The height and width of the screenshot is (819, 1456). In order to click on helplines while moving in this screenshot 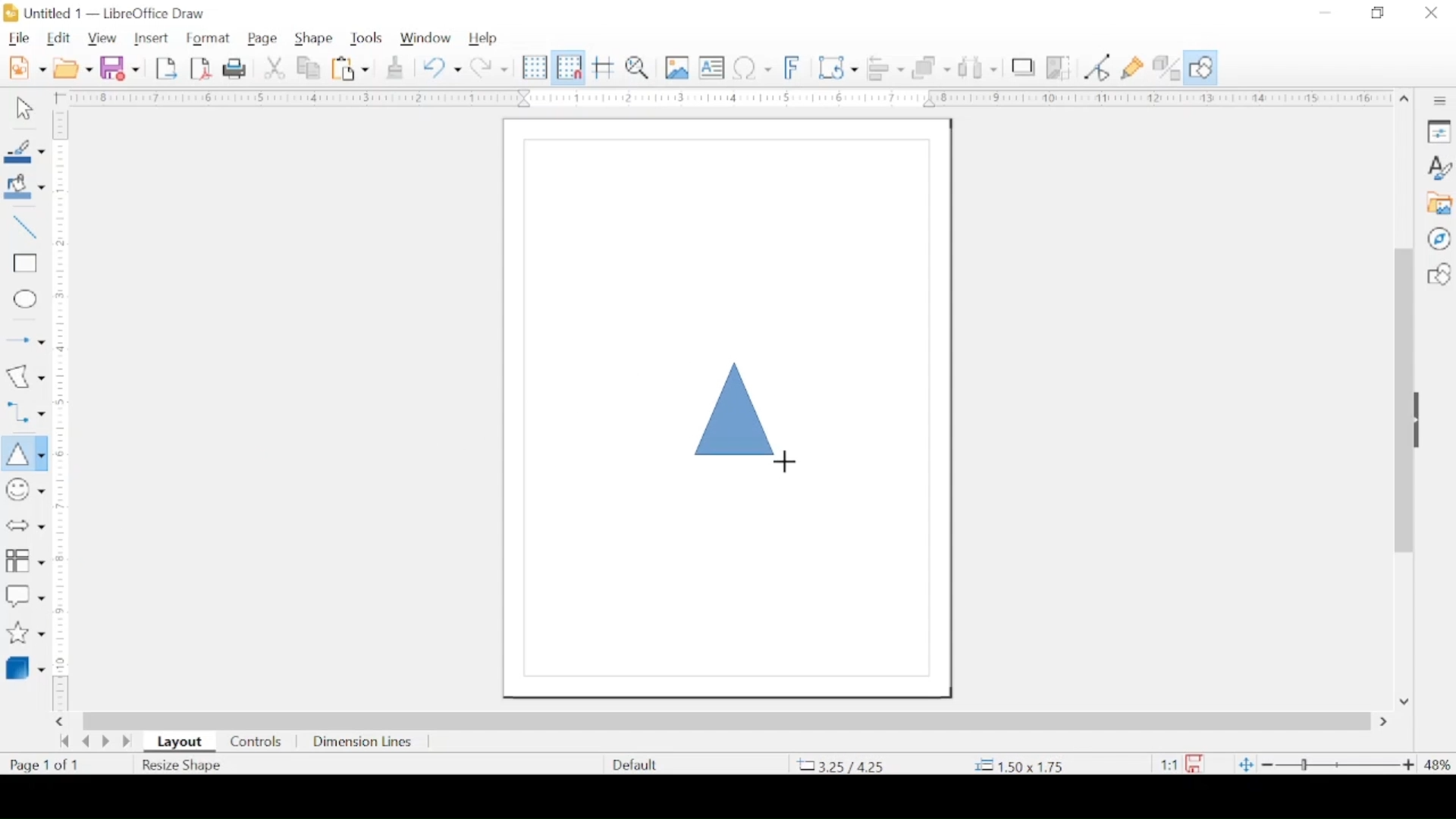, I will do `click(604, 67)`.